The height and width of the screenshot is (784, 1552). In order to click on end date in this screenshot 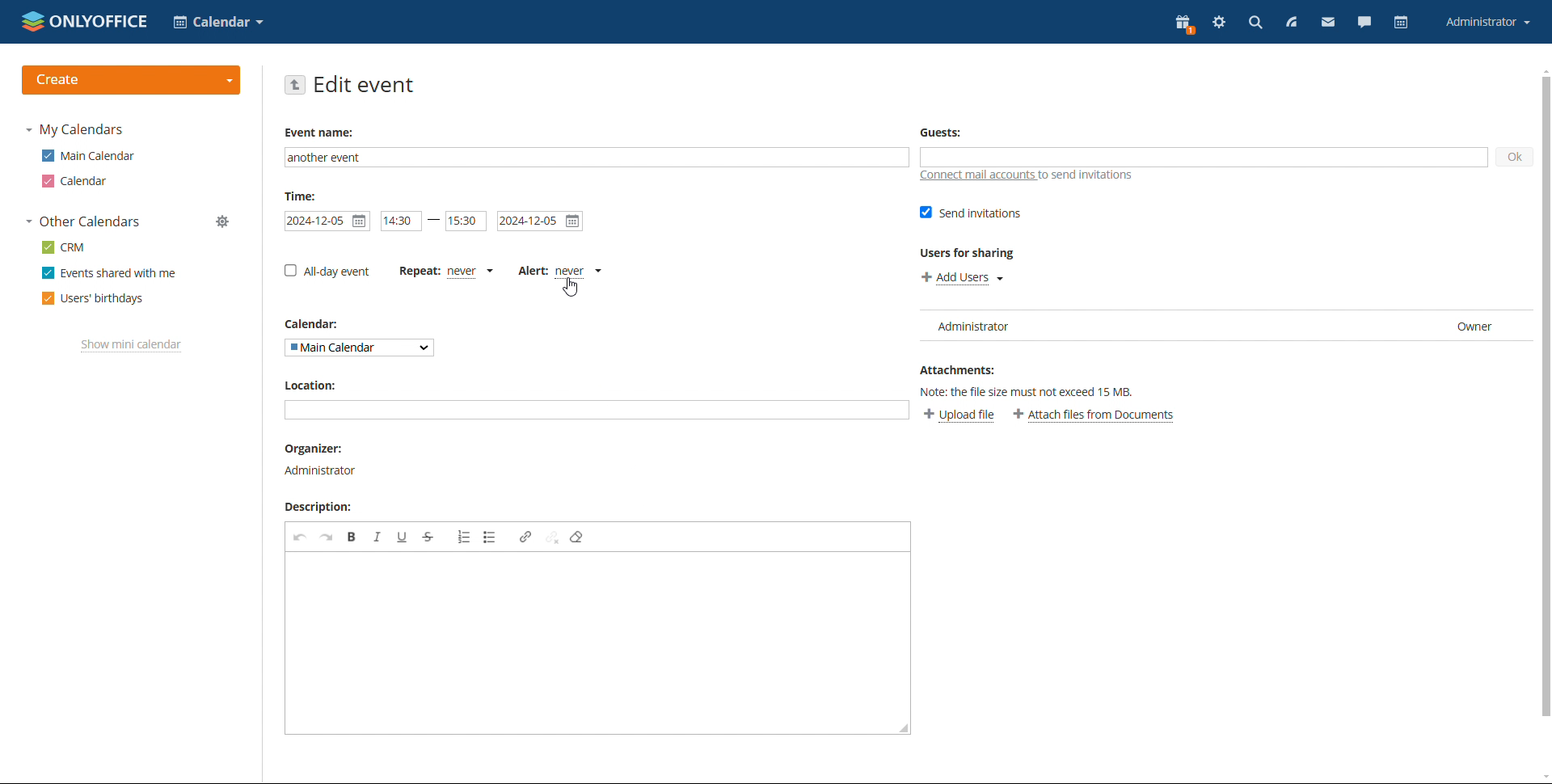, I will do `click(541, 221)`.